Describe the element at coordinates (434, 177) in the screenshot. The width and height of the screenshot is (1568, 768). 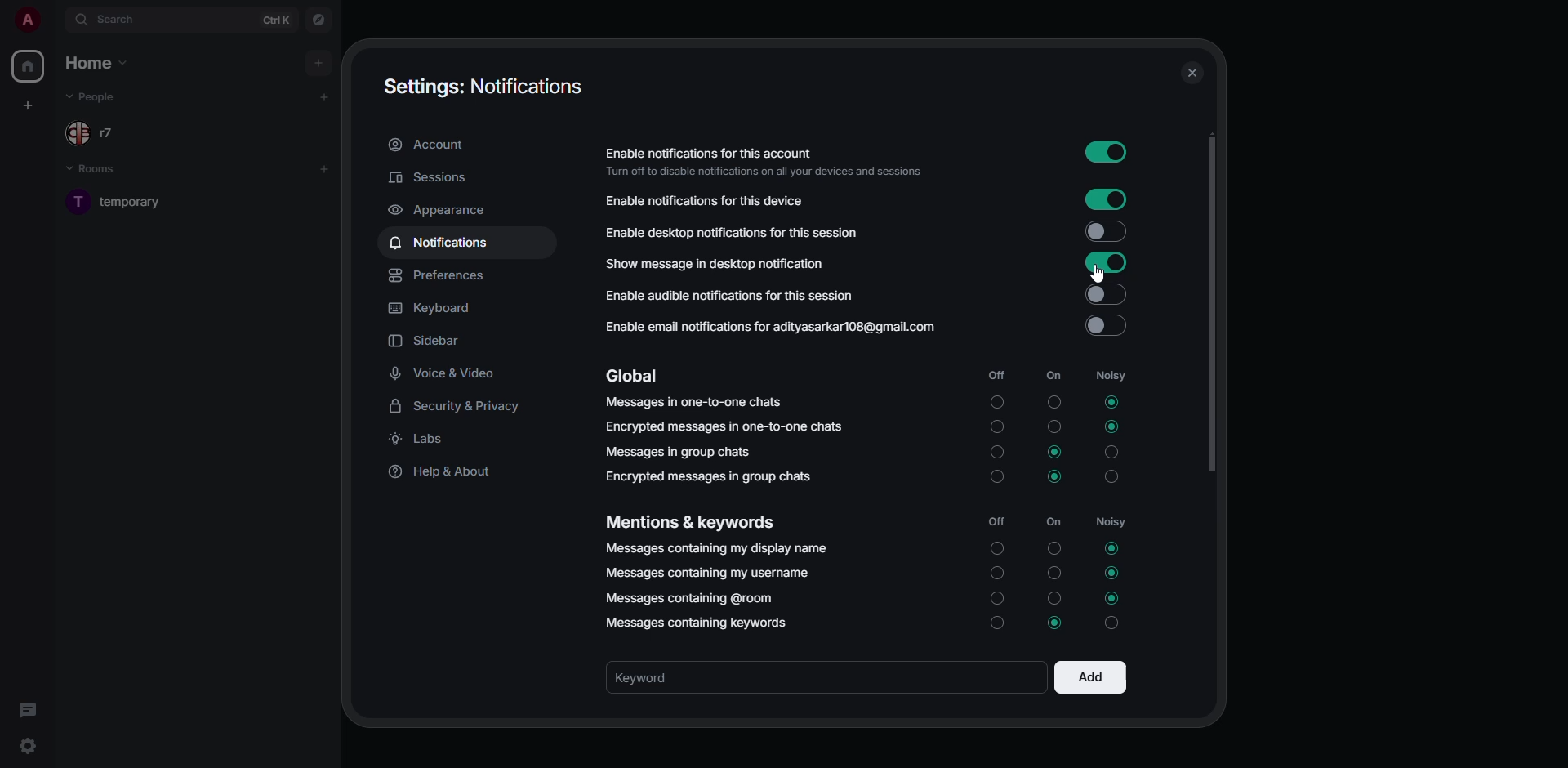
I see `sessions` at that location.